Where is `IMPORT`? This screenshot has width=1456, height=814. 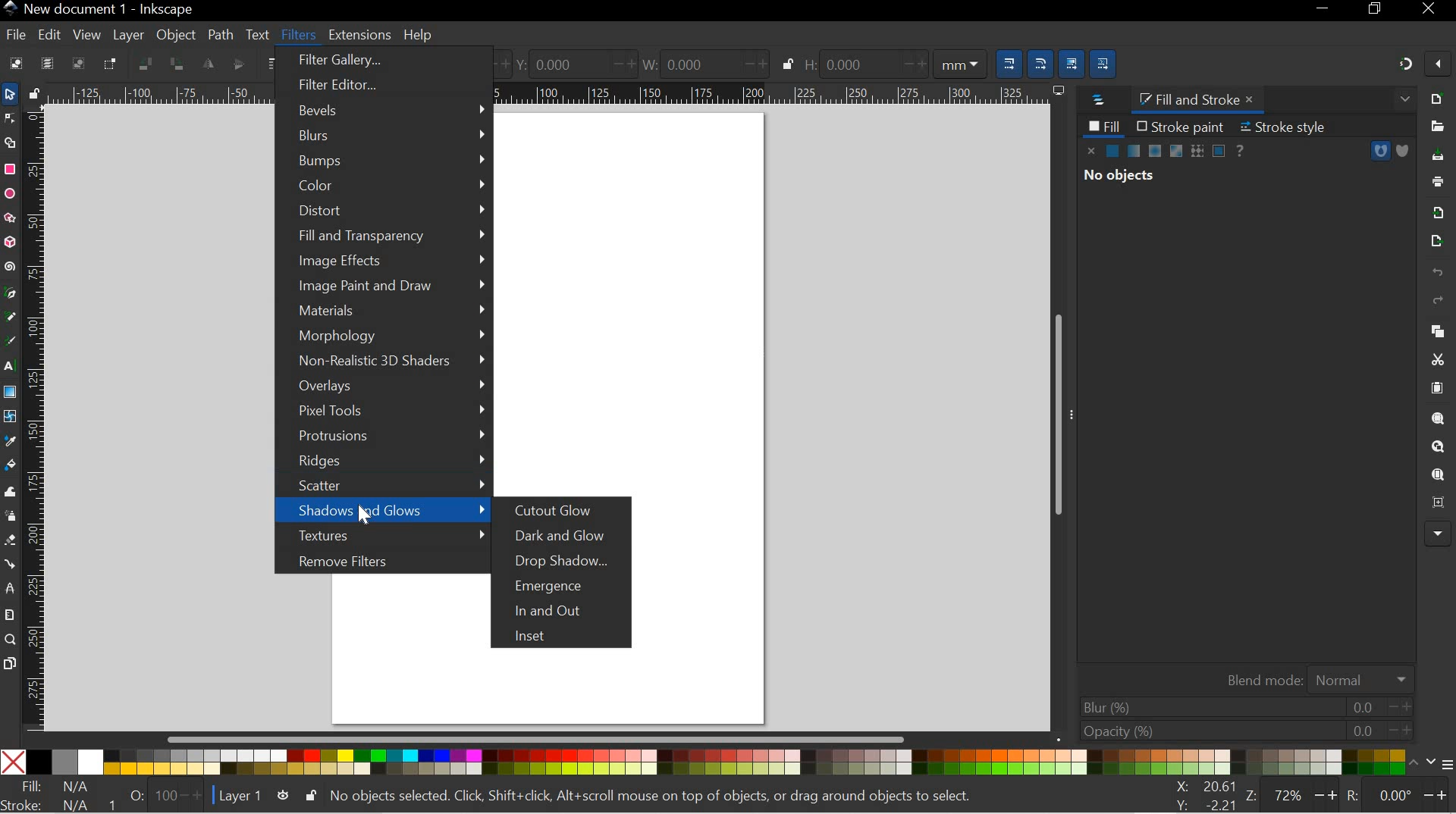 IMPORT is located at coordinates (1438, 211).